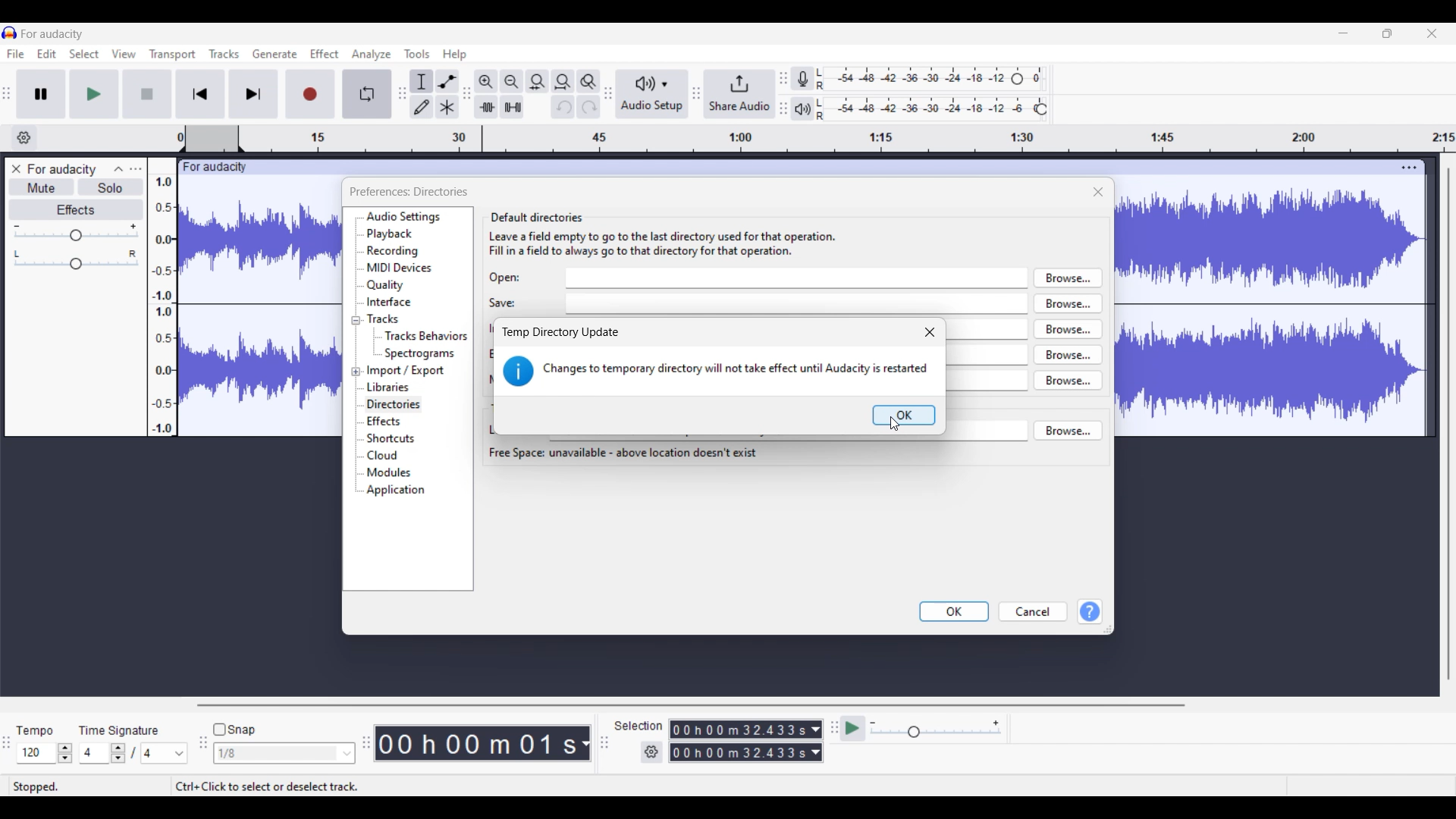 The width and height of the screenshot is (1456, 819). I want to click on Audio setup, so click(652, 93).